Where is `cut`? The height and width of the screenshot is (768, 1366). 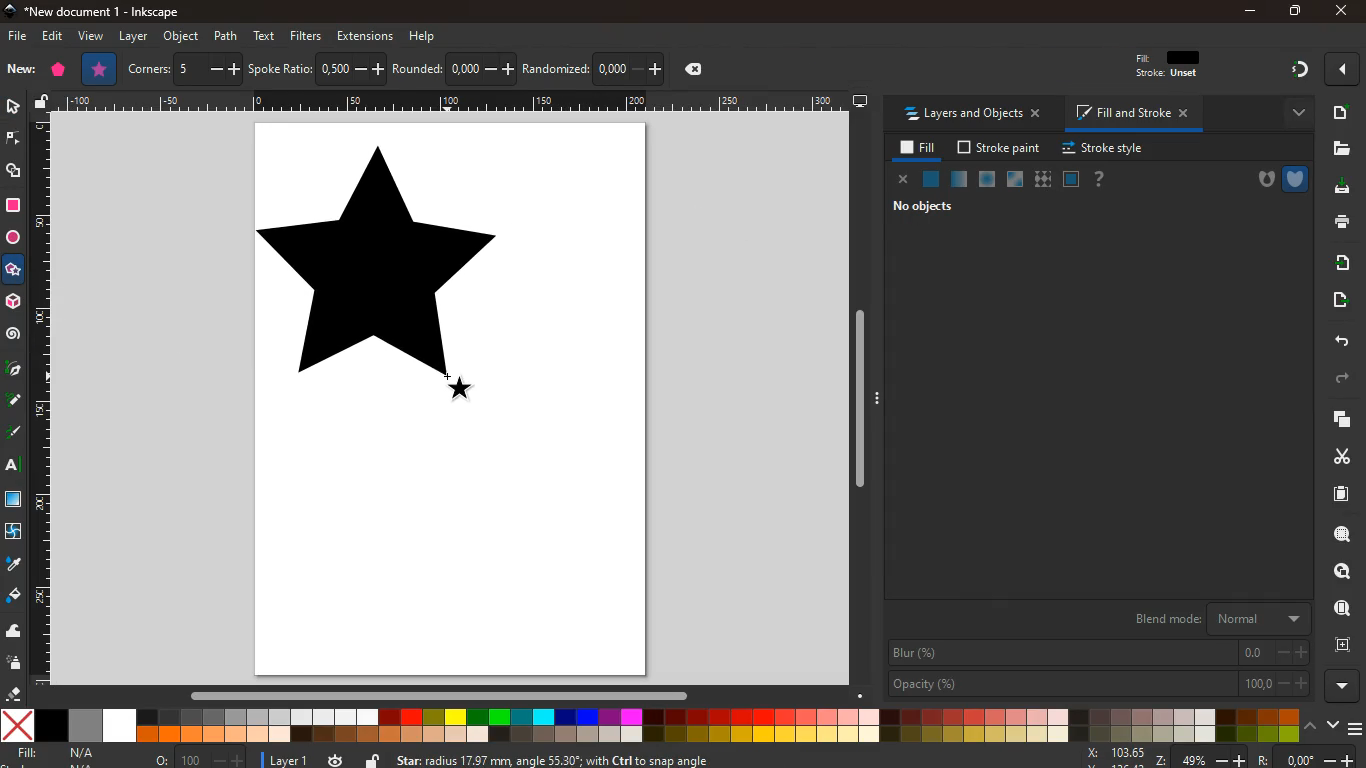
cut is located at coordinates (1338, 457).